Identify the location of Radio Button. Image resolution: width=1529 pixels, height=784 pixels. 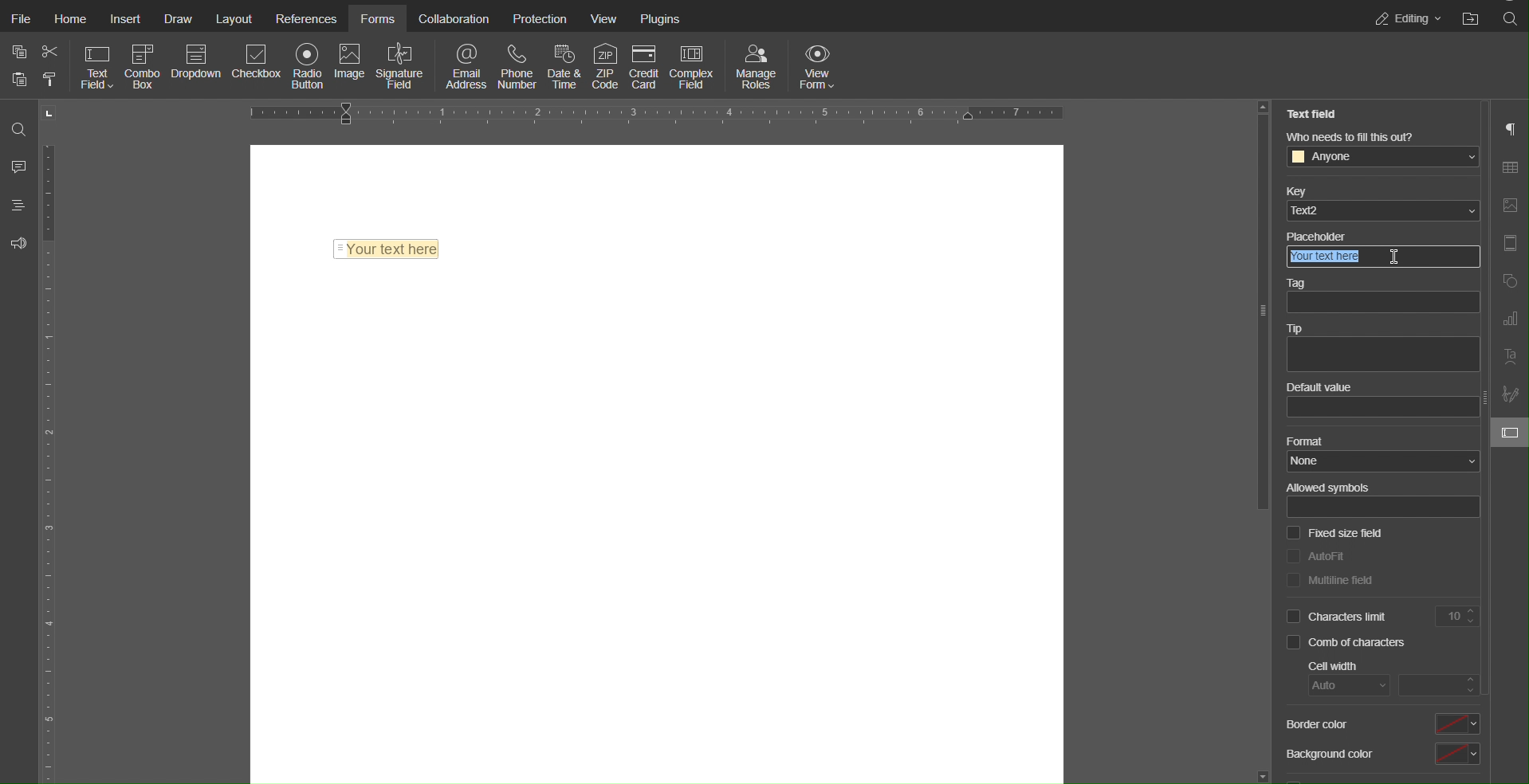
(307, 67).